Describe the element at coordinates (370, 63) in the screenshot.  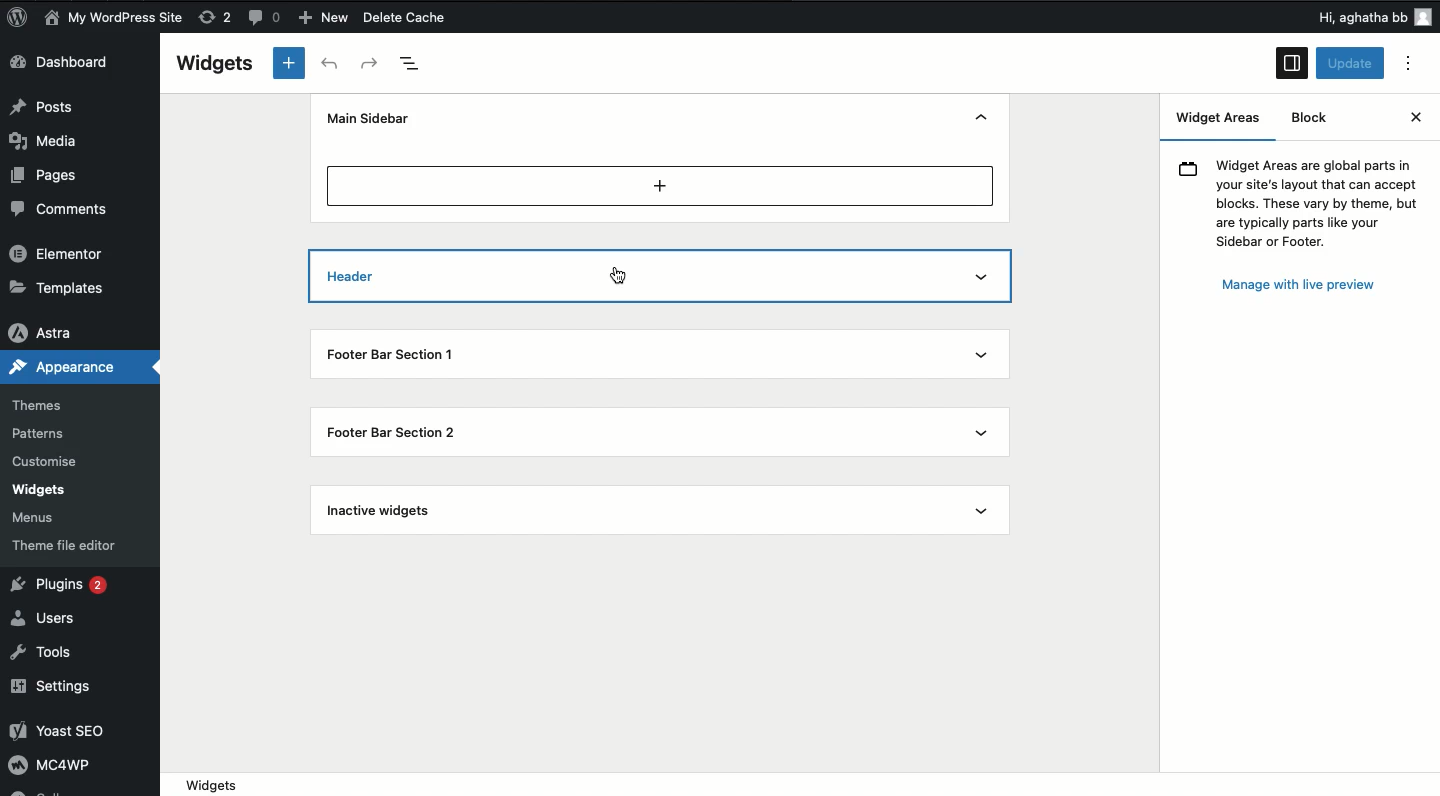
I see `Redo` at that location.